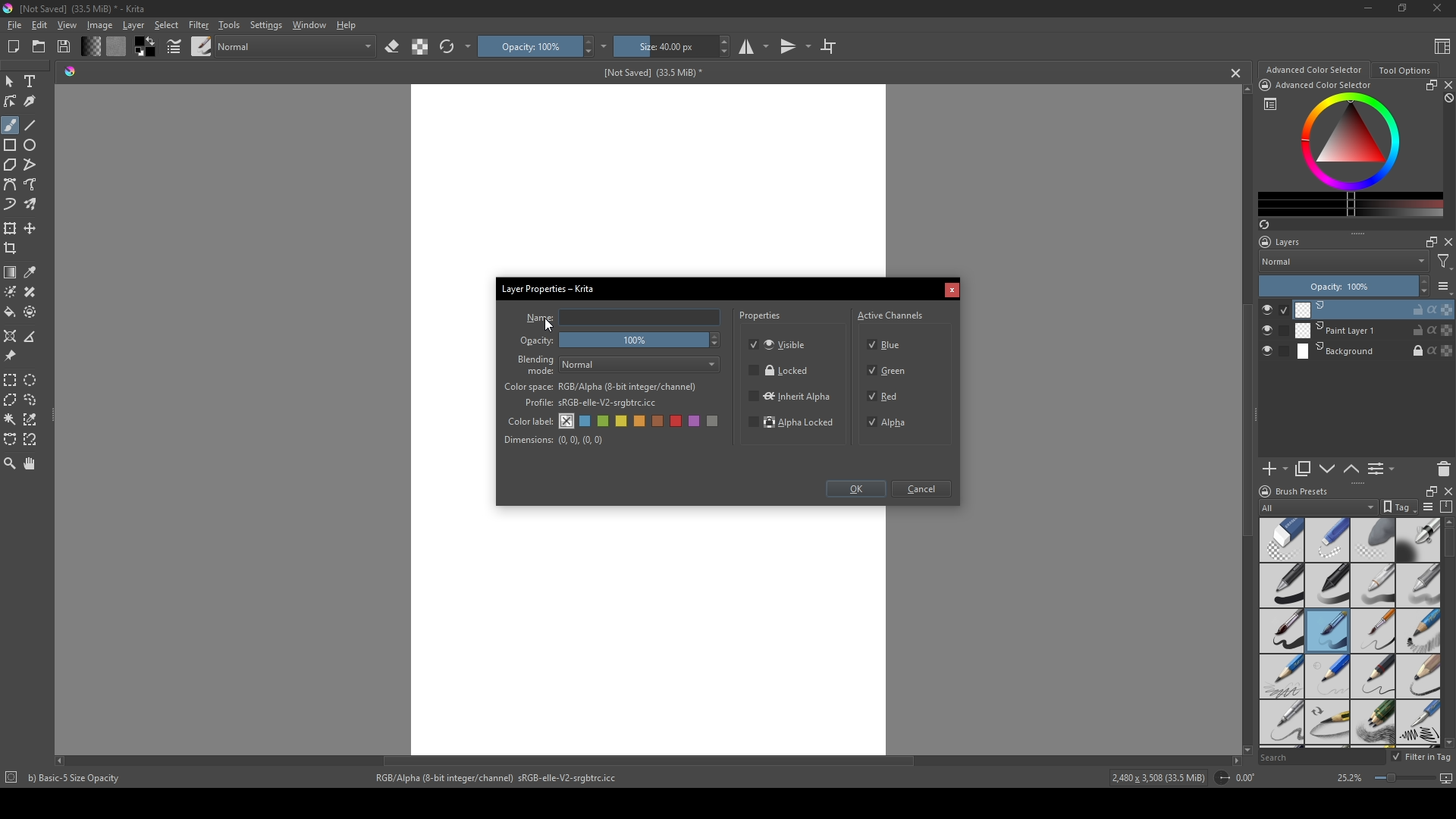 Image resolution: width=1456 pixels, height=819 pixels. I want to click on smart patch, so click(33, 292).